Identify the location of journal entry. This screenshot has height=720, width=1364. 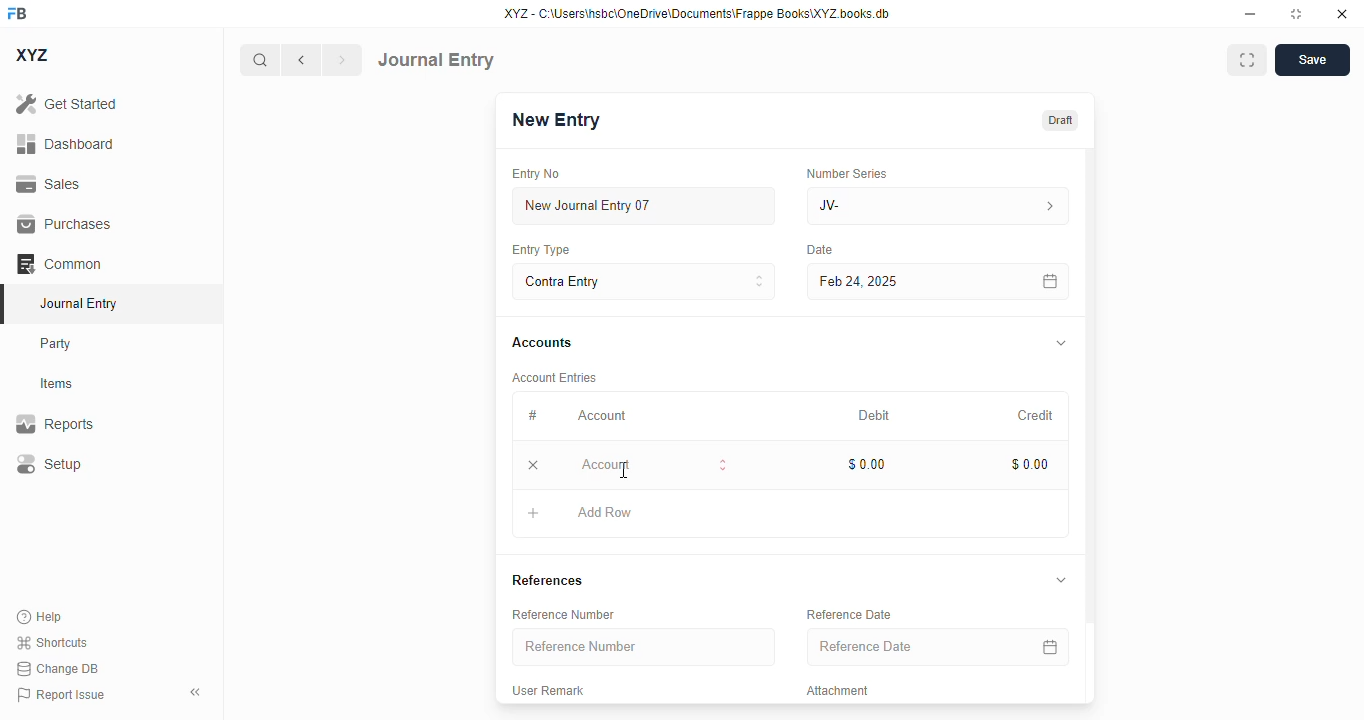
(436, 60).